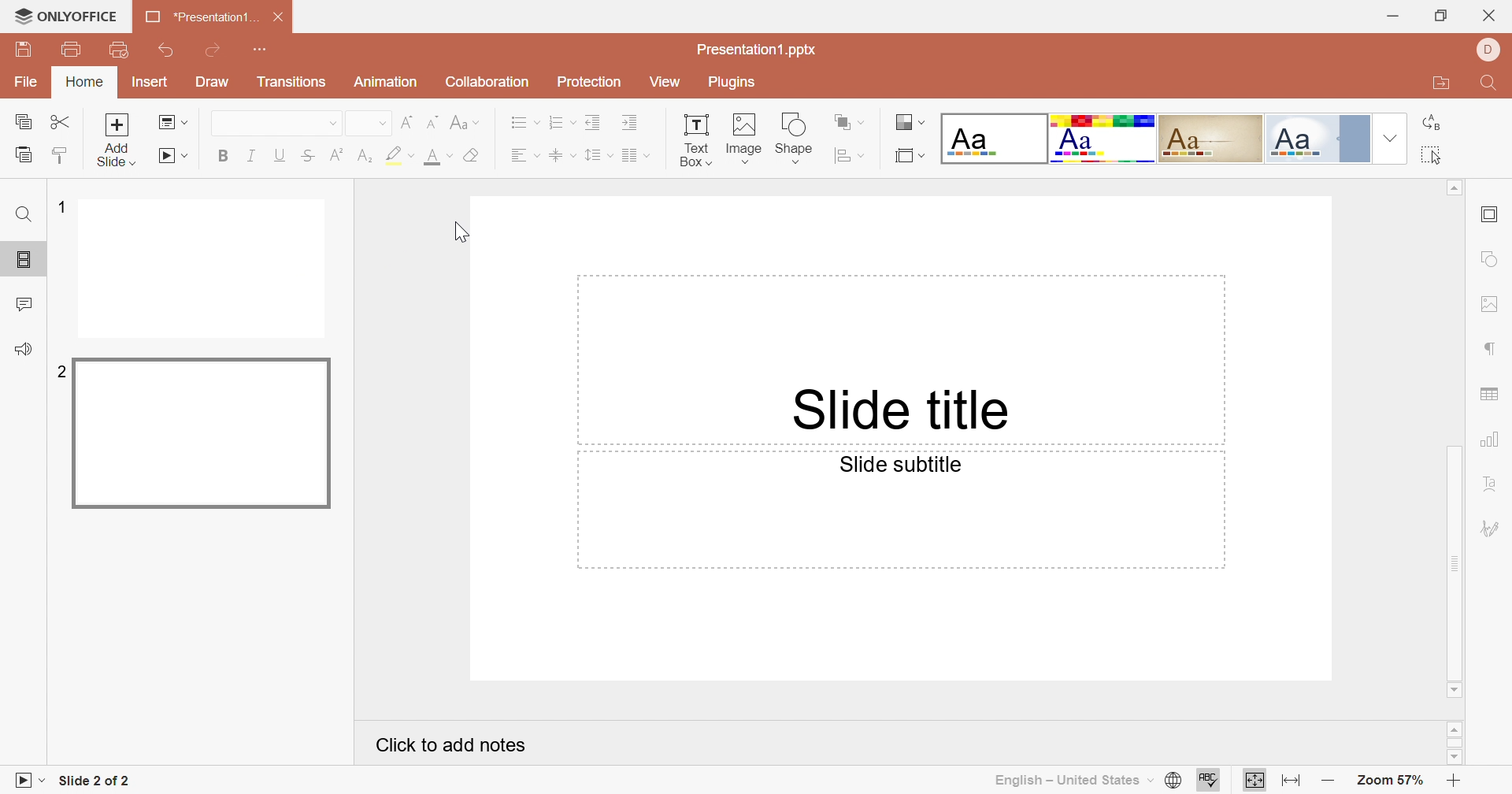 Image resolution: width=1512 pixels, height=794 pixels. Describe the element at coordinates (1432, 124) in the screenshot. I see `Replace` at that location.